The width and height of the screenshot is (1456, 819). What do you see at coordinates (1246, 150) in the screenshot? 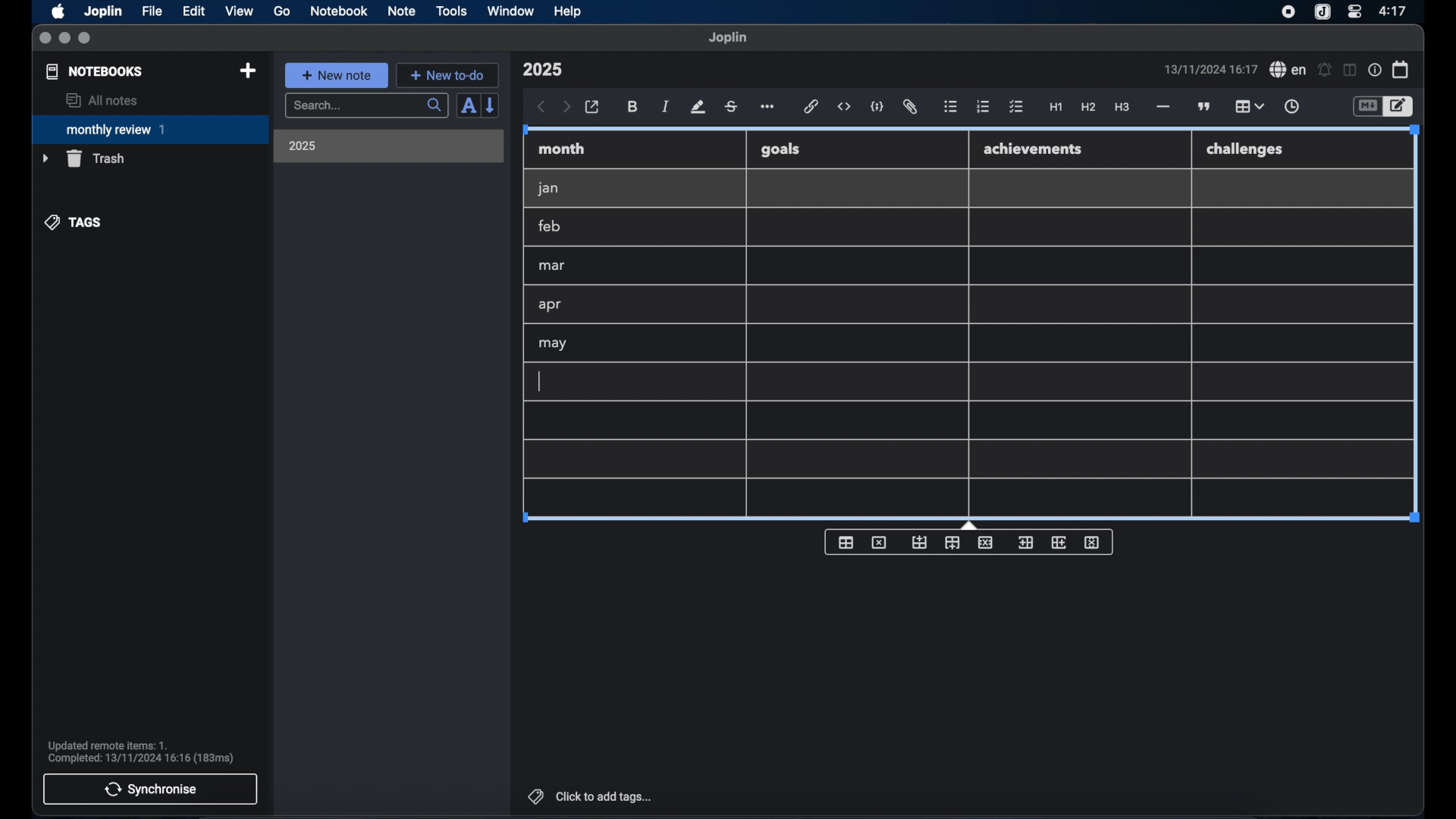
I see `challenges` at bounding box center [1246, 150].